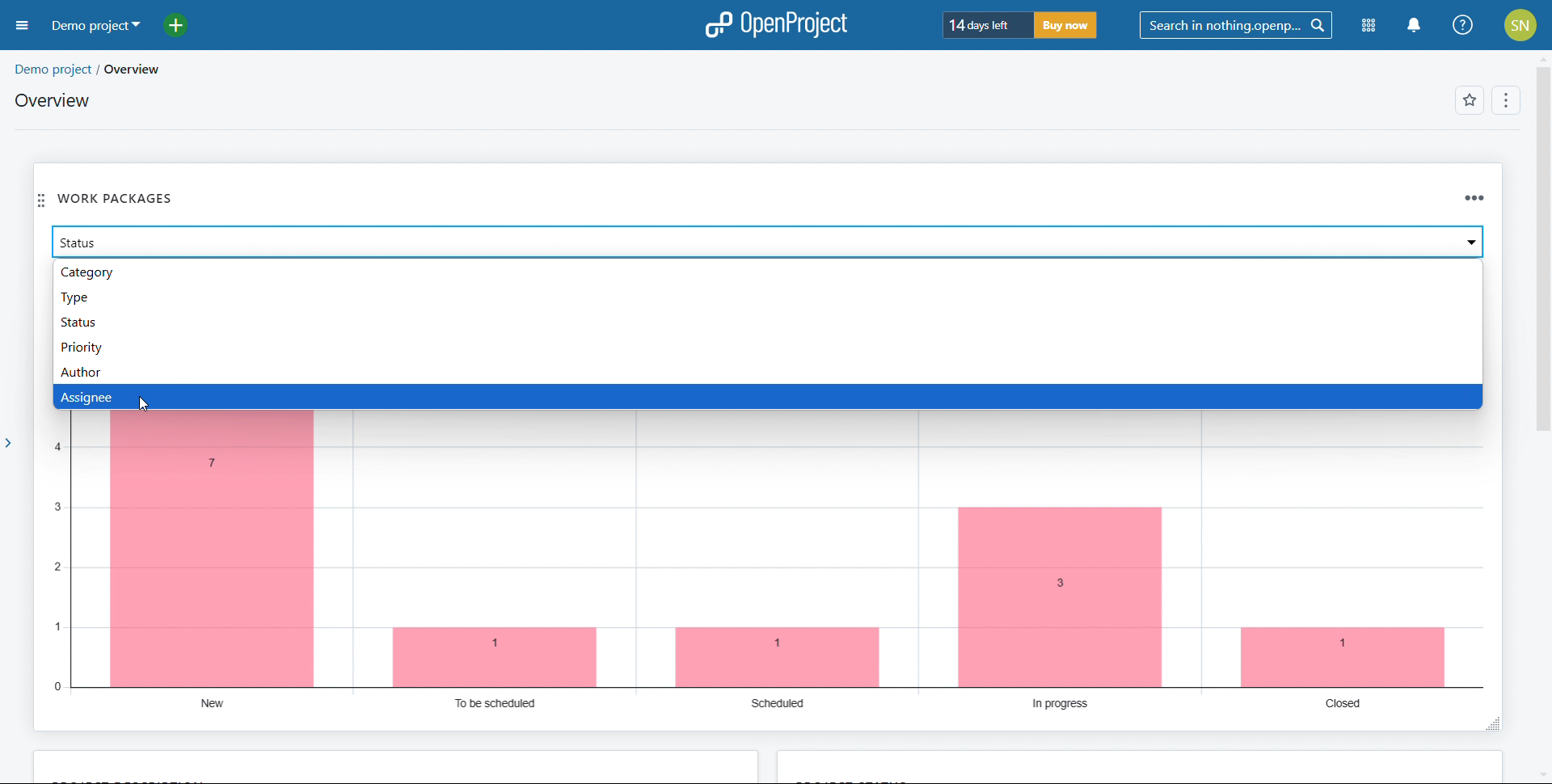 This screenshot has height=784, width=1552. I want to click on logo, so click(776, 24).